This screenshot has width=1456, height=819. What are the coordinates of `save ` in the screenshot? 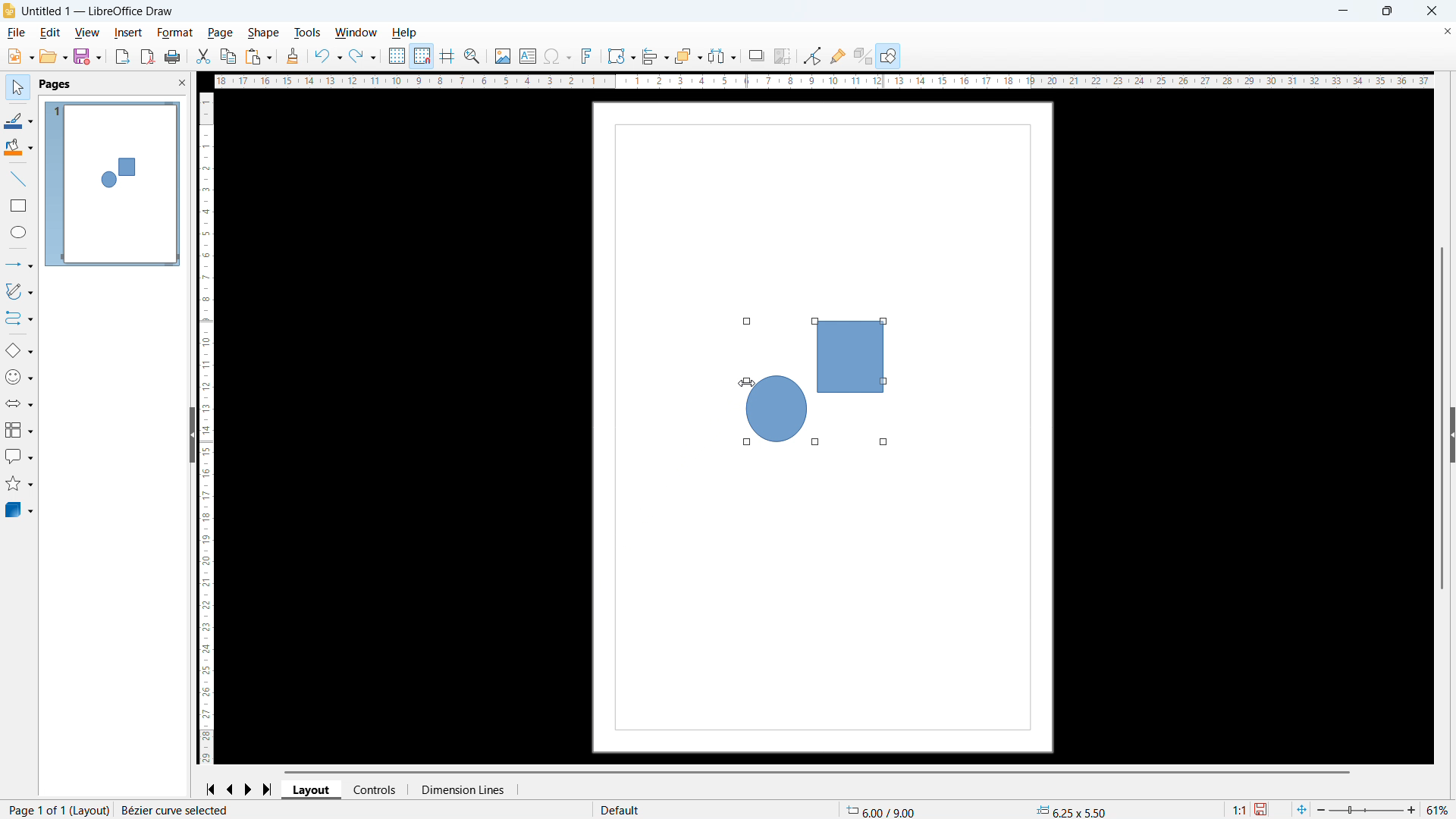 It's located at (89, 57).